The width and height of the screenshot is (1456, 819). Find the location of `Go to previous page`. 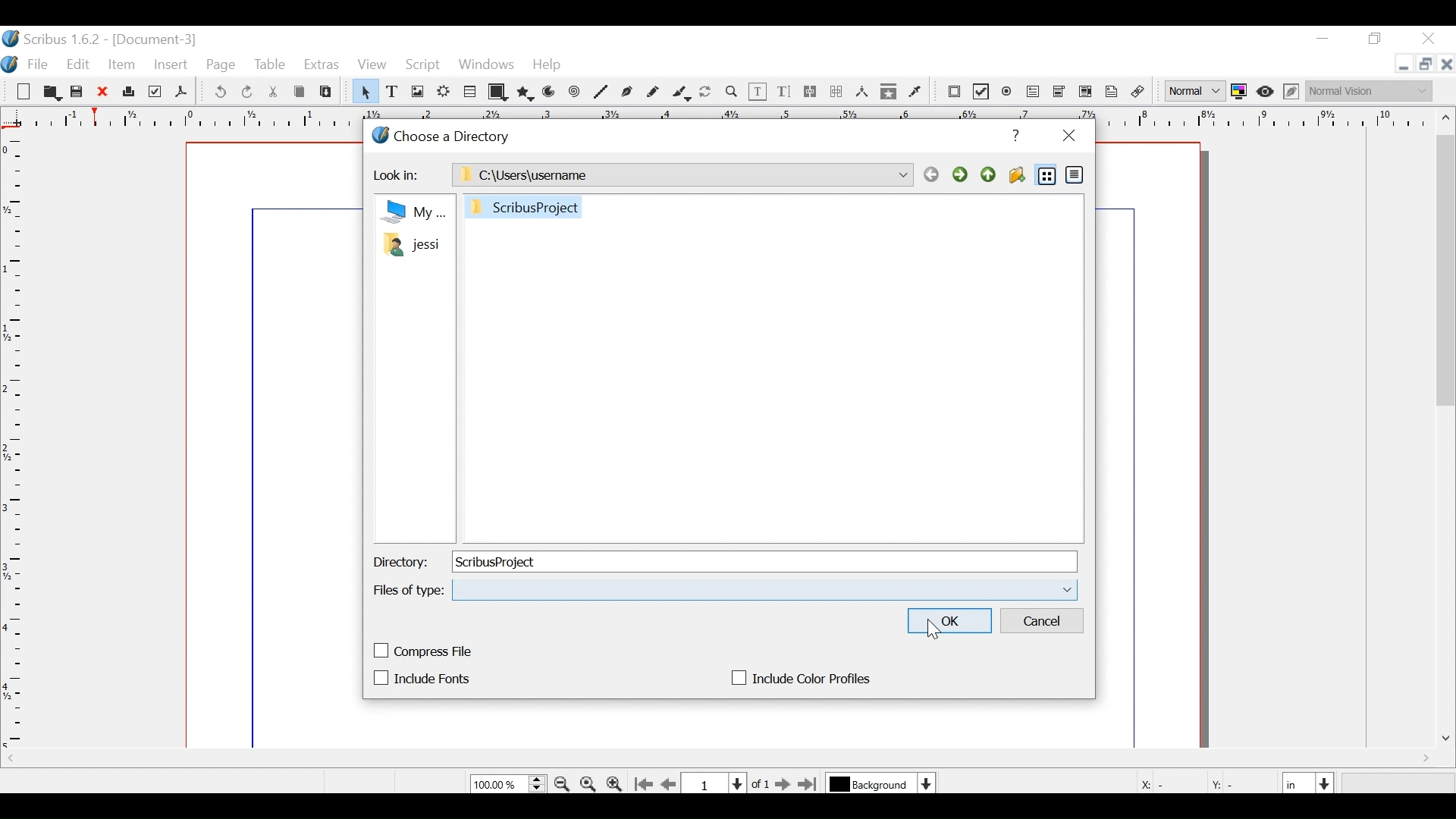

Go to previous page is located at coordinates (670, 784).